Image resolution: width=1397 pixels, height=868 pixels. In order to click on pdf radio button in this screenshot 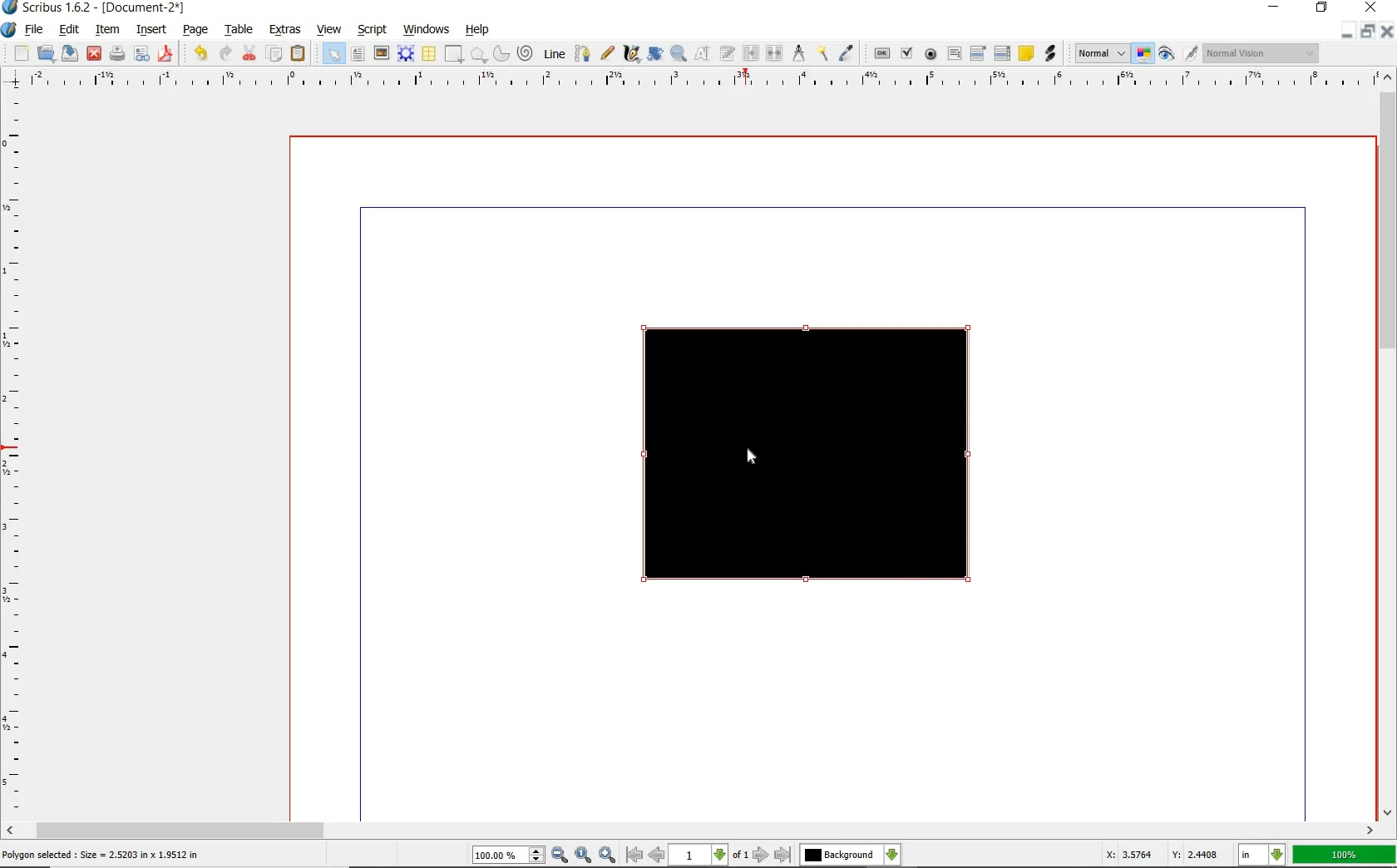, I will do `click(927, 54)`.